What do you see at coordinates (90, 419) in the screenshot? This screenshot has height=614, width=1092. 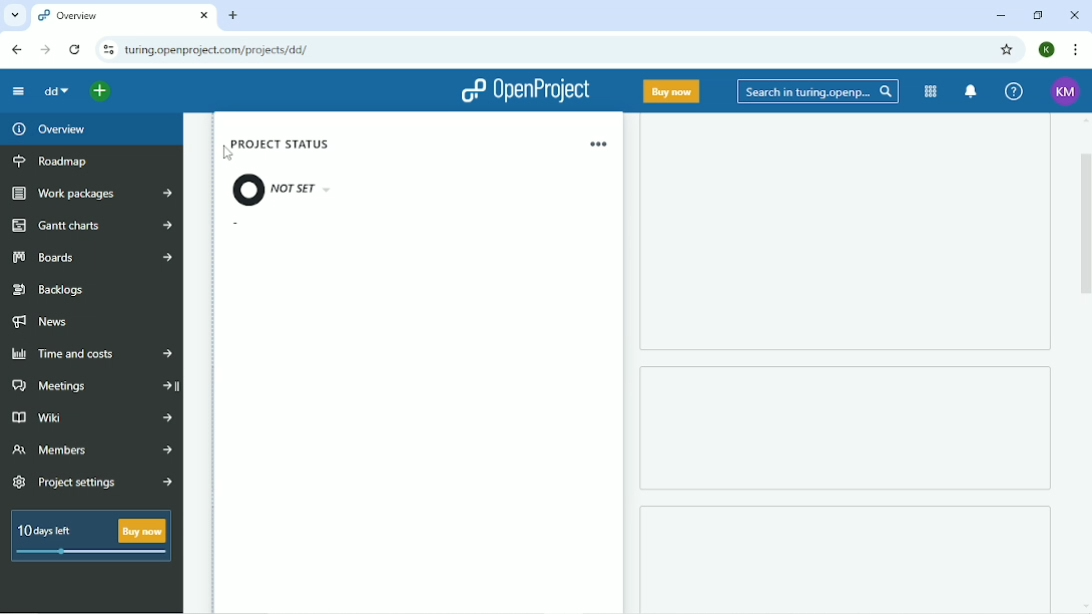 I see `Wiki` at bounding box center [90, 419].